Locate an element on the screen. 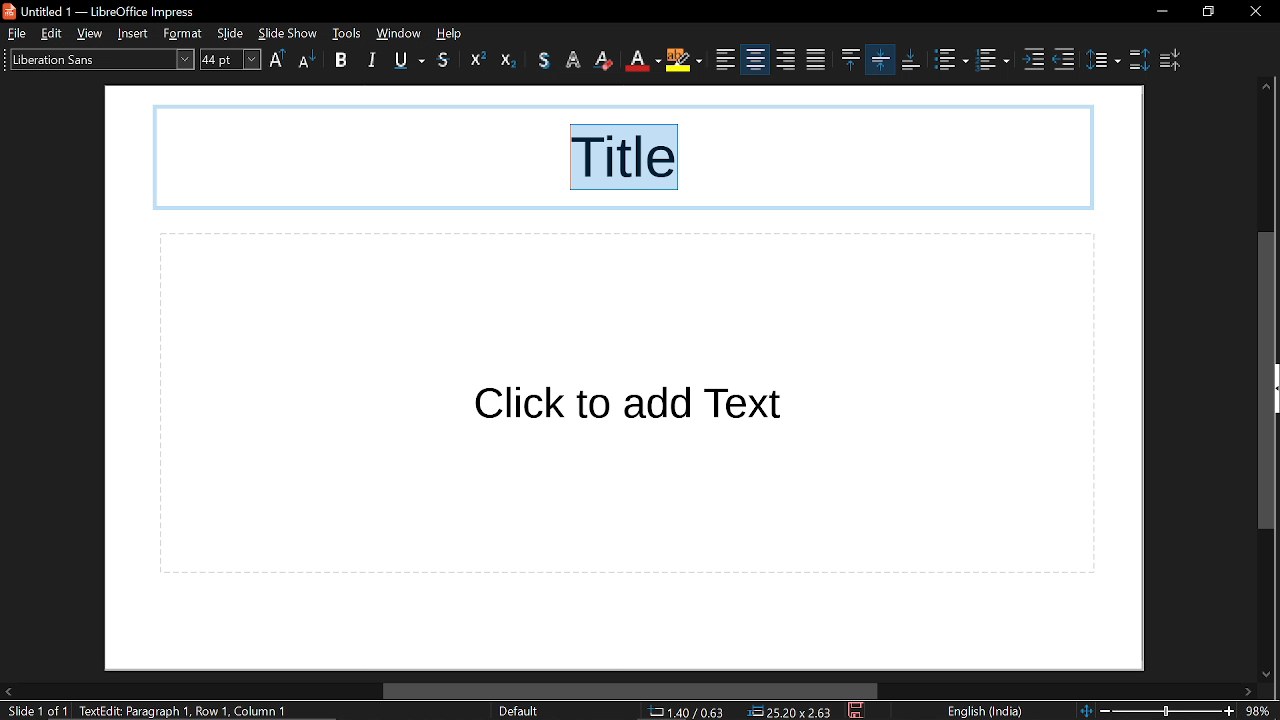  decrease paragraph spacing is located at coordinates (1173, 60).